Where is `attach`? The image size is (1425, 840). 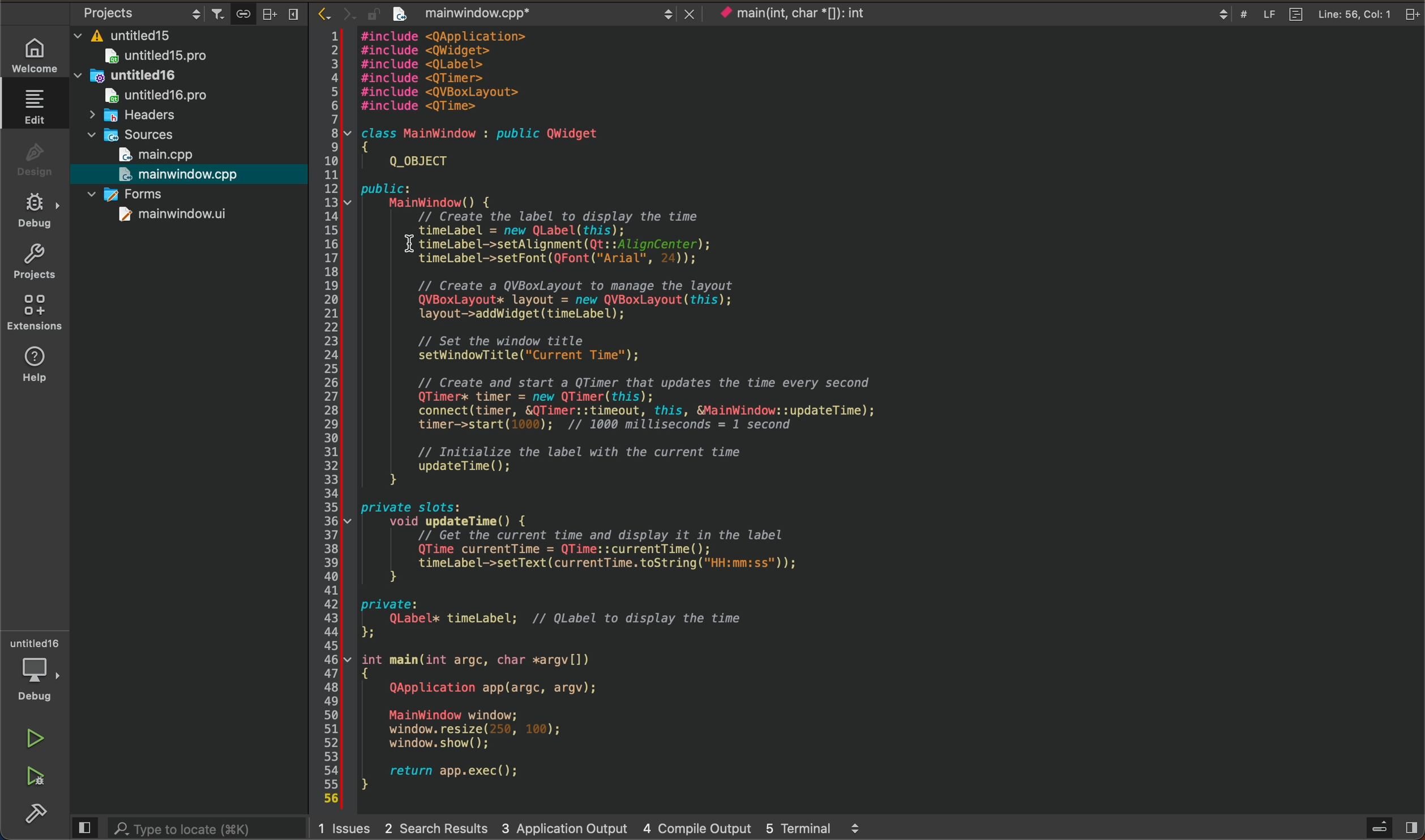
attach is located at coordinates (241, 14).